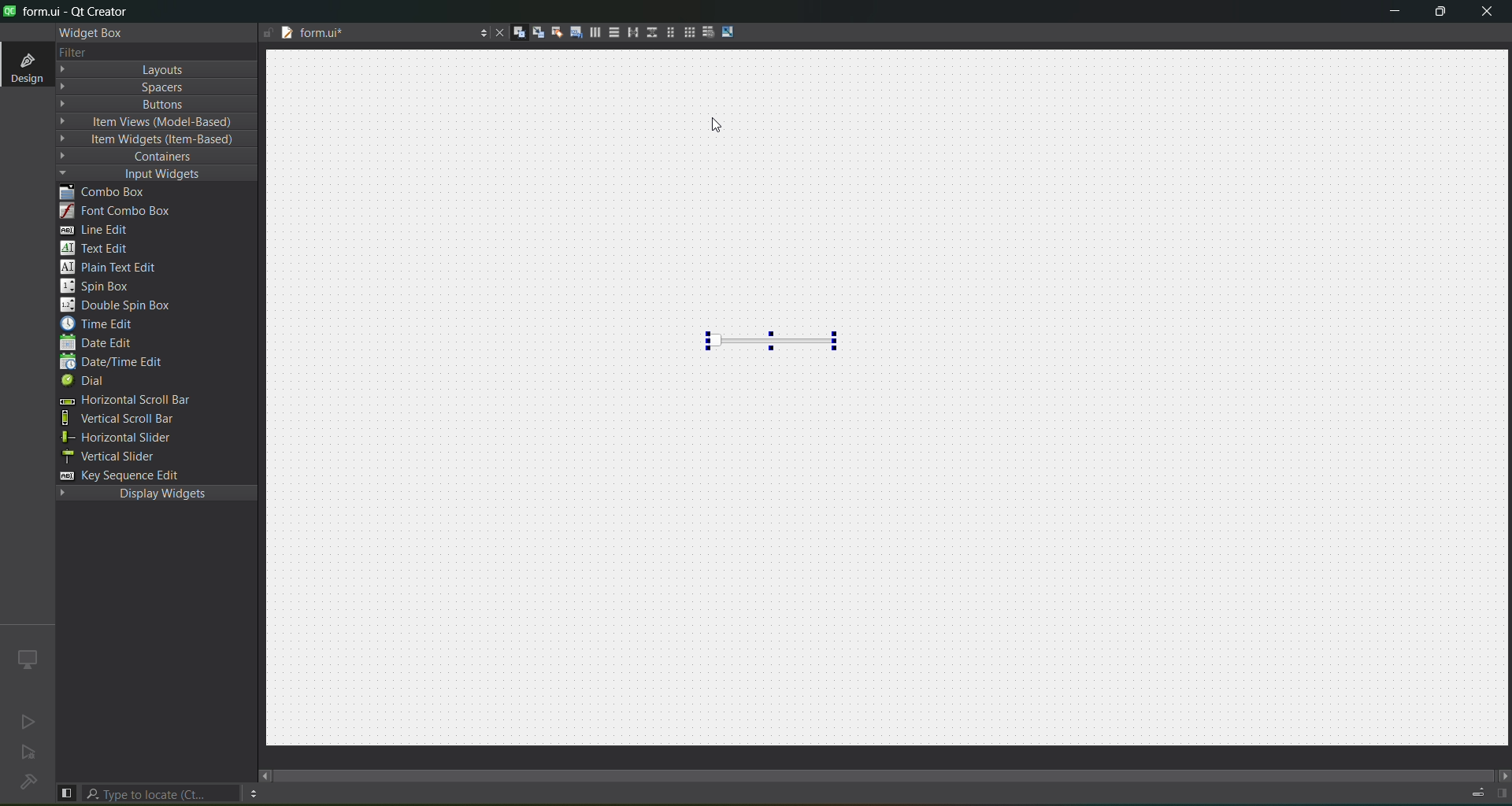 This screenshot has height=806, width=1512. I want to click on key sequence edit, so click(120, 474).